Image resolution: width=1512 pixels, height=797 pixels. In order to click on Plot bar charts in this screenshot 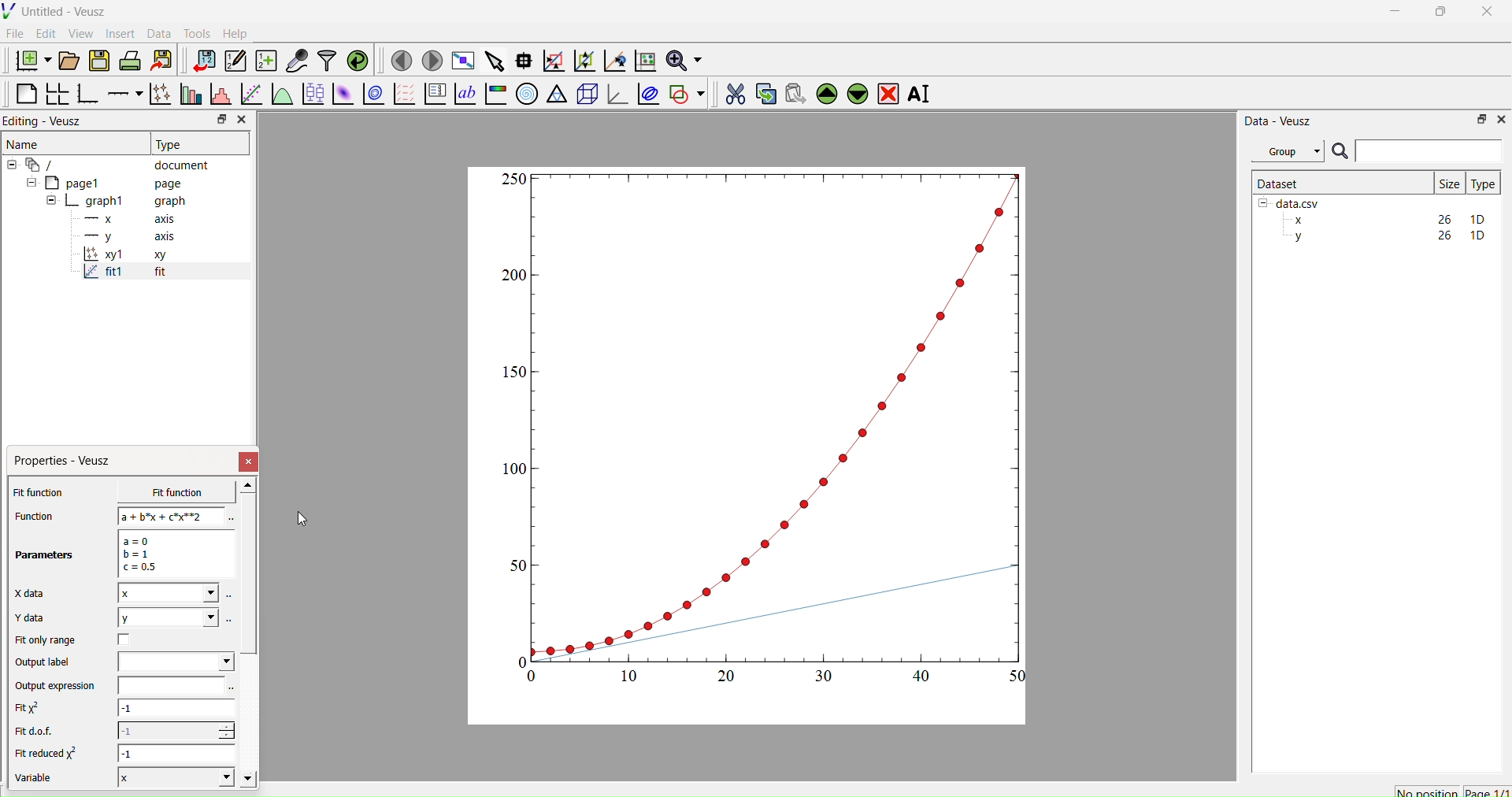, I will do `click(189, 95)`.